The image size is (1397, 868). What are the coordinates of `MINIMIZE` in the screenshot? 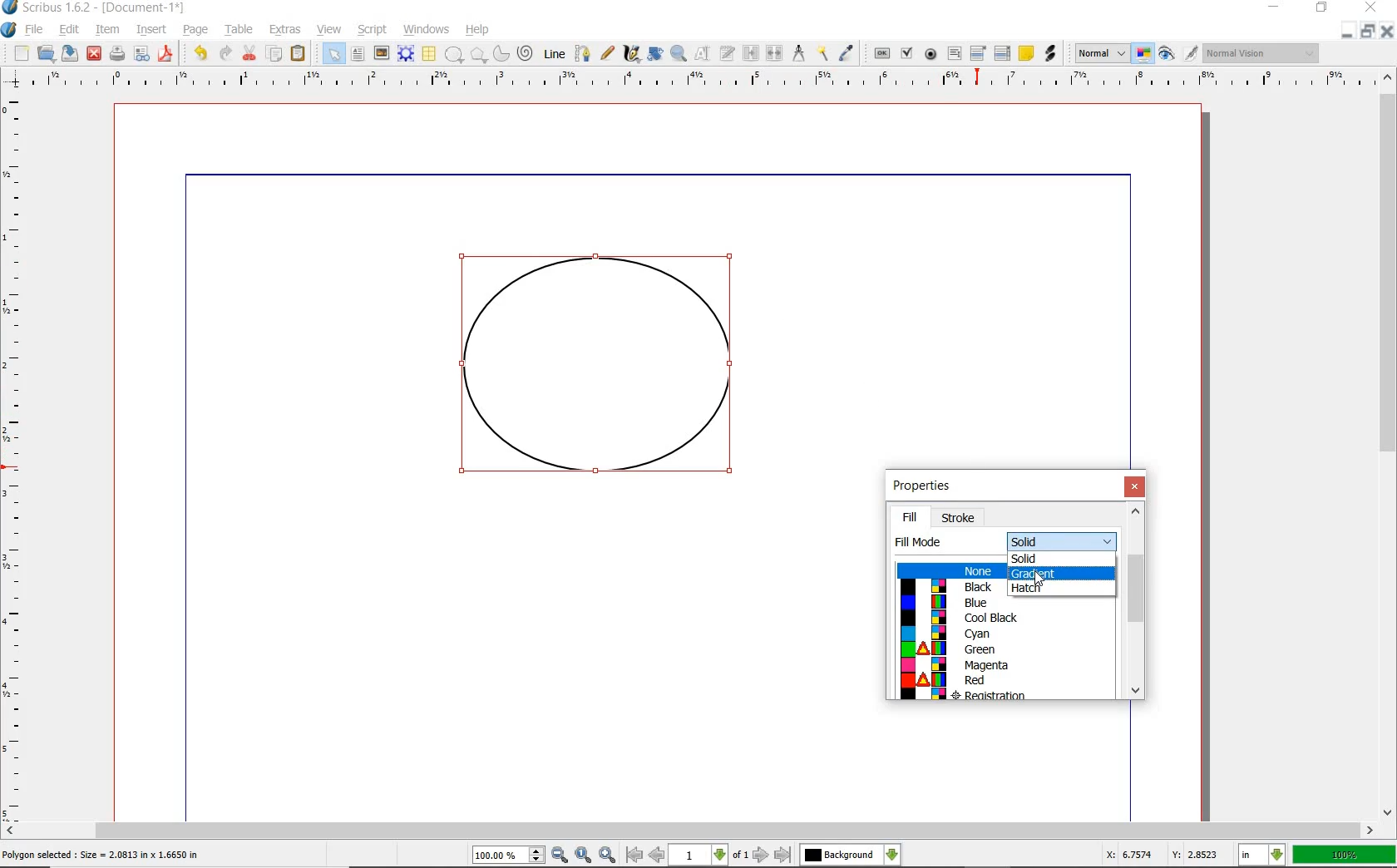 It's located at (1276, 6).